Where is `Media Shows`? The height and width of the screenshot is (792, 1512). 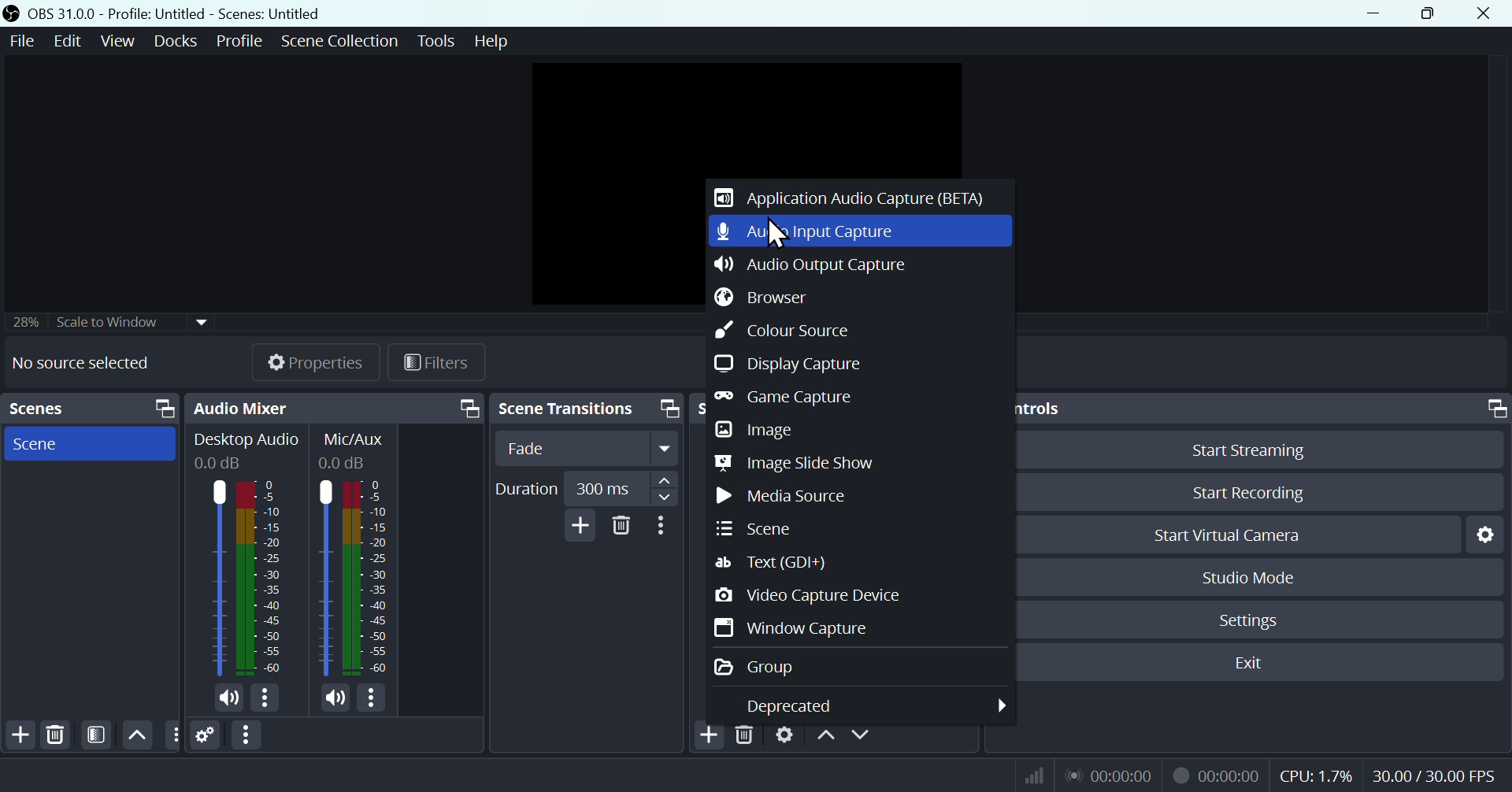
Media Shows is located at coordinates (787, 494).